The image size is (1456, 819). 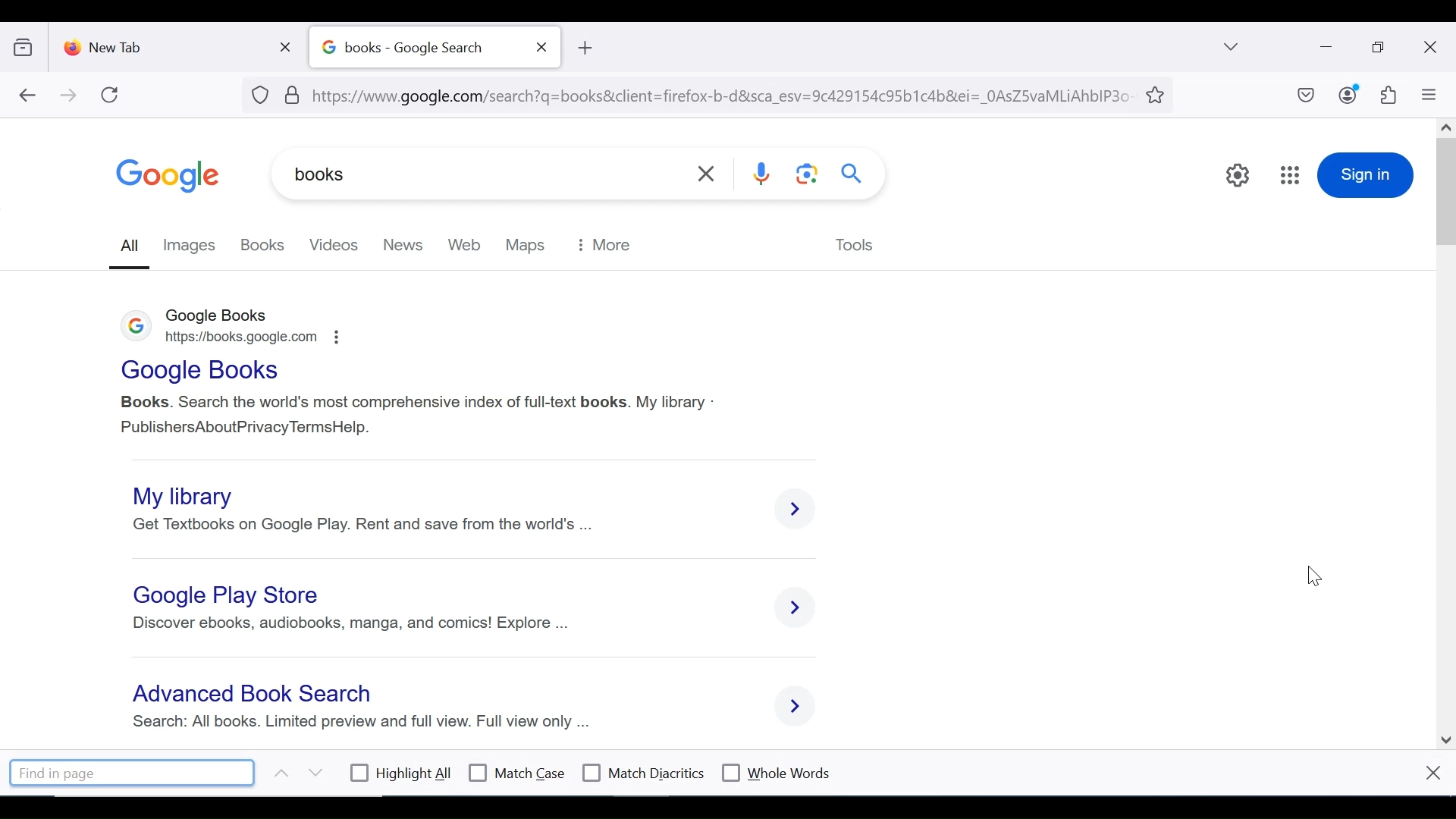 What do you see at coordinates (278, 773) in the screenshot?
I see `previous` at bounding box center [278, 773].